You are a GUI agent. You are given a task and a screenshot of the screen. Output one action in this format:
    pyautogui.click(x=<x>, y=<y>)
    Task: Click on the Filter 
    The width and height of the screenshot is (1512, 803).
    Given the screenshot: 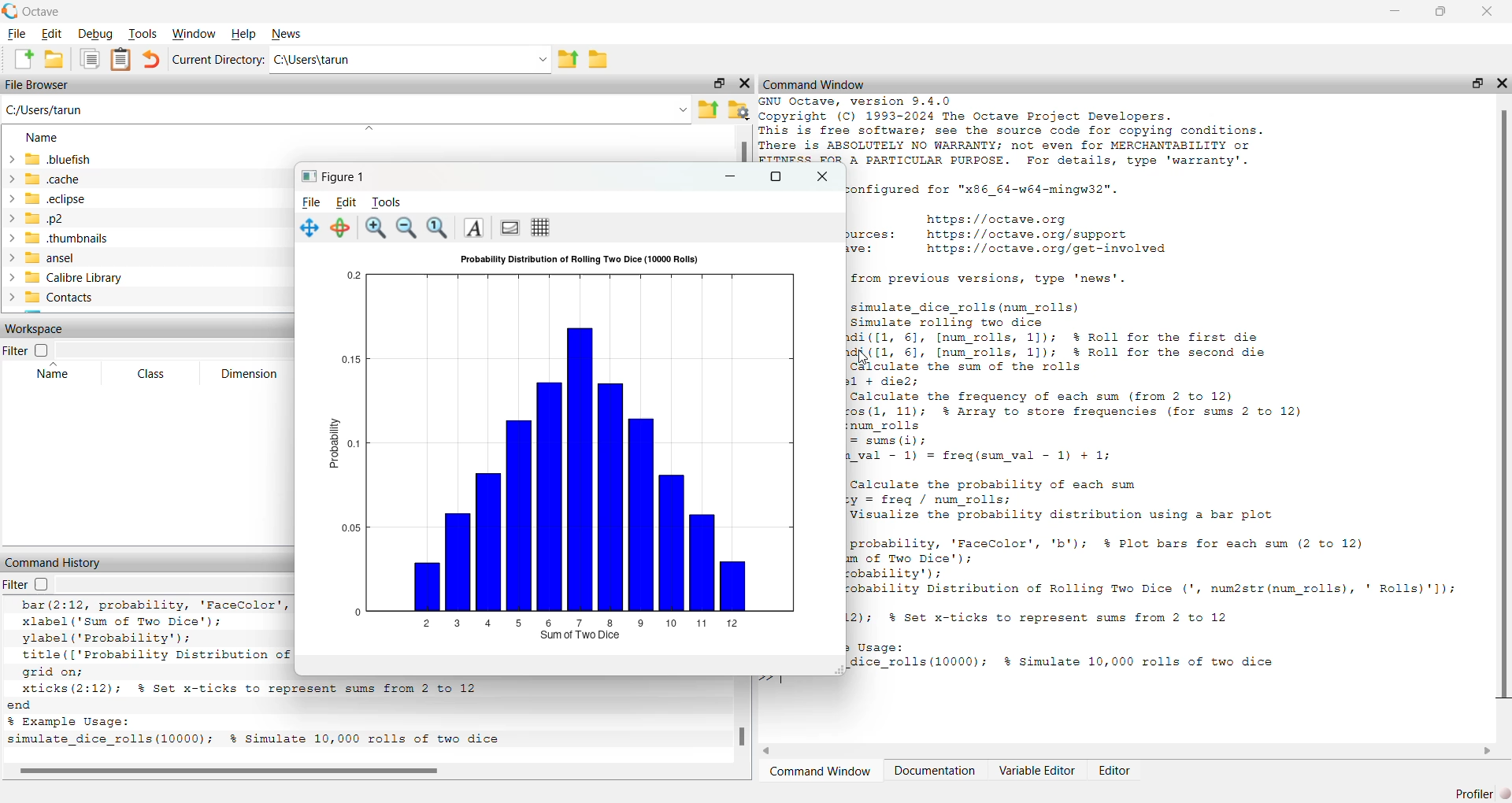 What is the action you would take?
    pyautogui.click(x=30, y=351)
    